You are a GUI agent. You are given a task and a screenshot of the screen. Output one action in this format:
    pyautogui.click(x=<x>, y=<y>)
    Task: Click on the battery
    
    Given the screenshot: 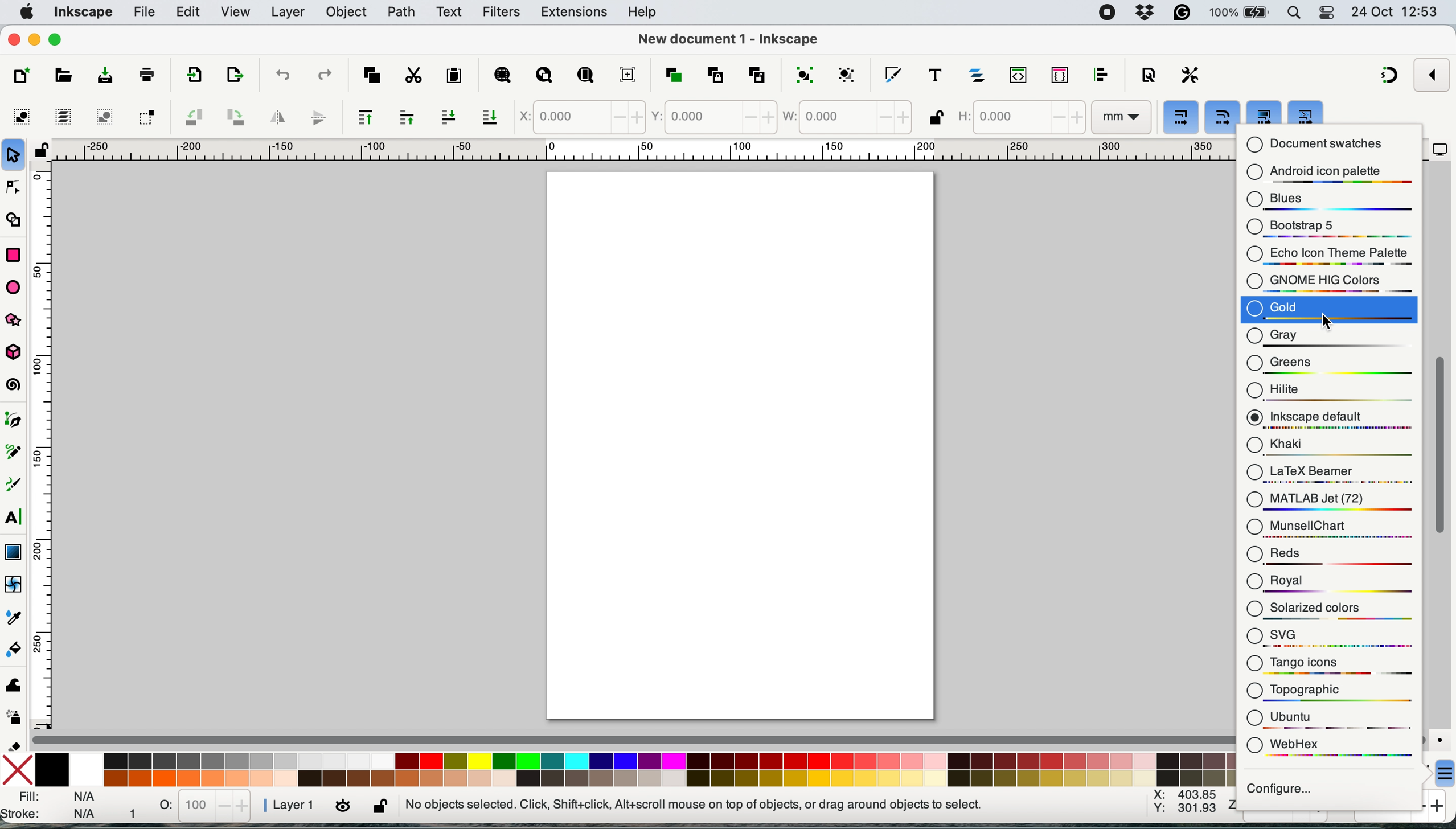 What is the action you would take?
    pyautogui.click(x=1238, y=12)
    